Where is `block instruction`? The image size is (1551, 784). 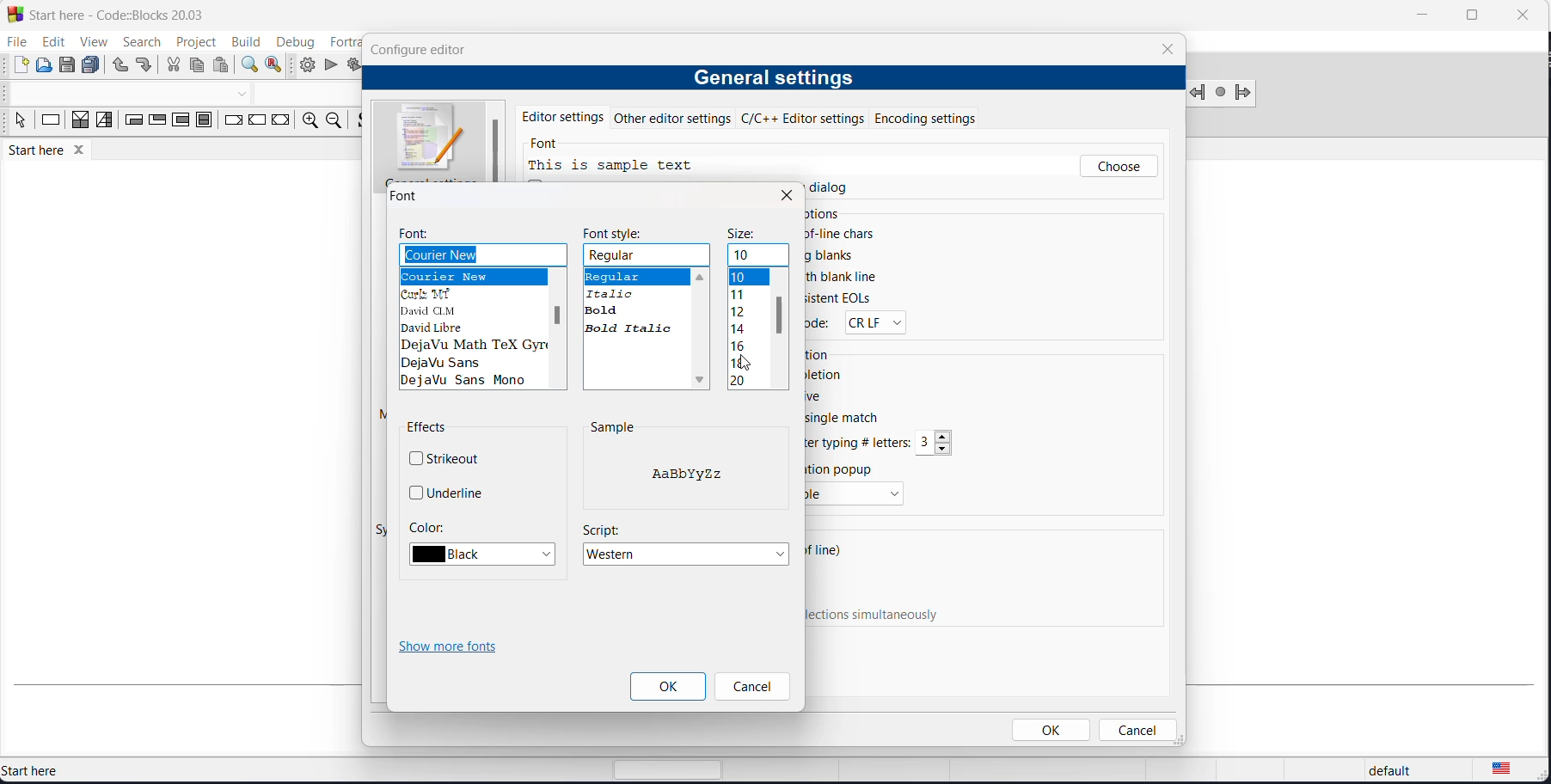
block instruction is located at coordinates (203, 121).